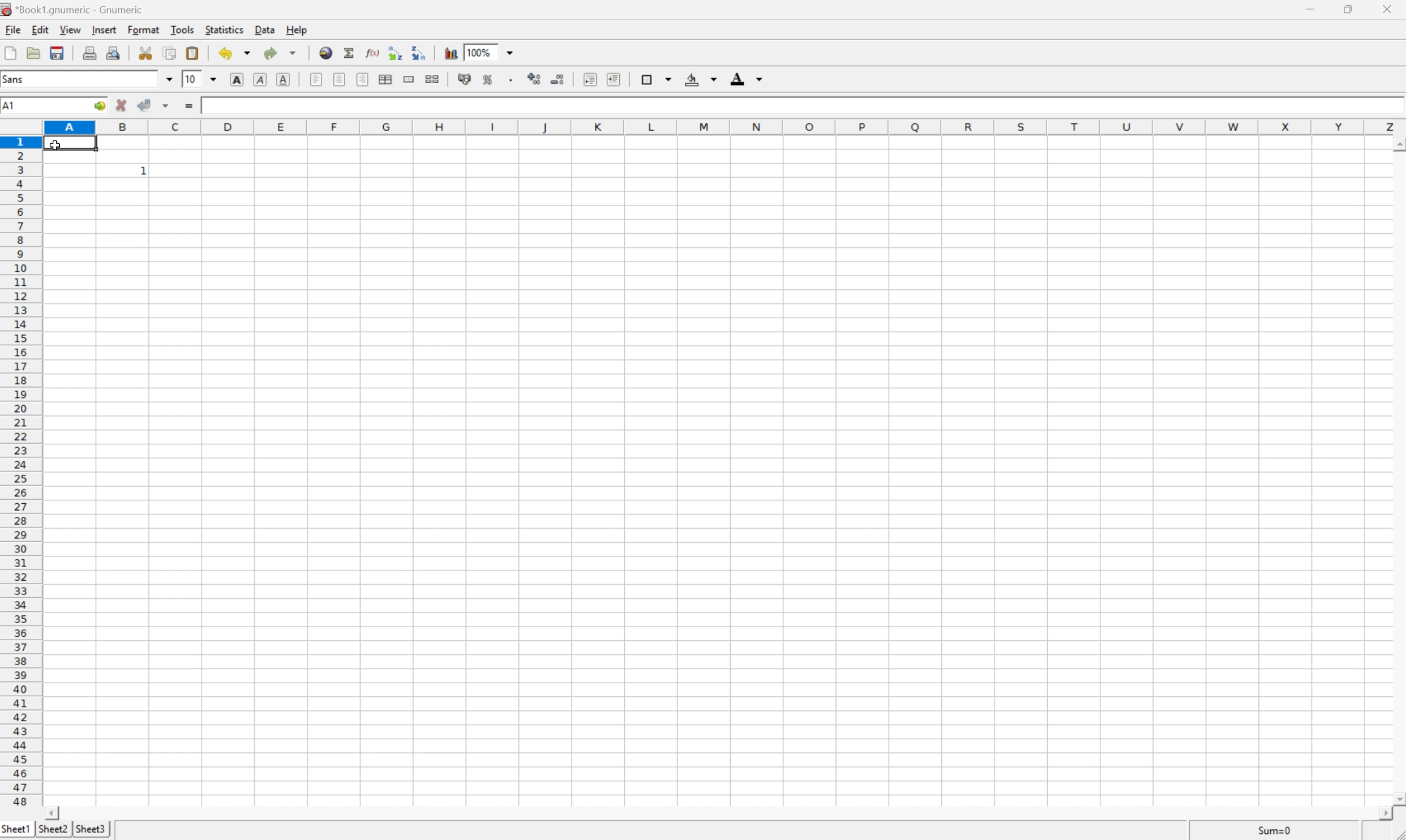  Describe the element at coordinates (451, 52) in the screenshot. I see `insert chart` at that location.